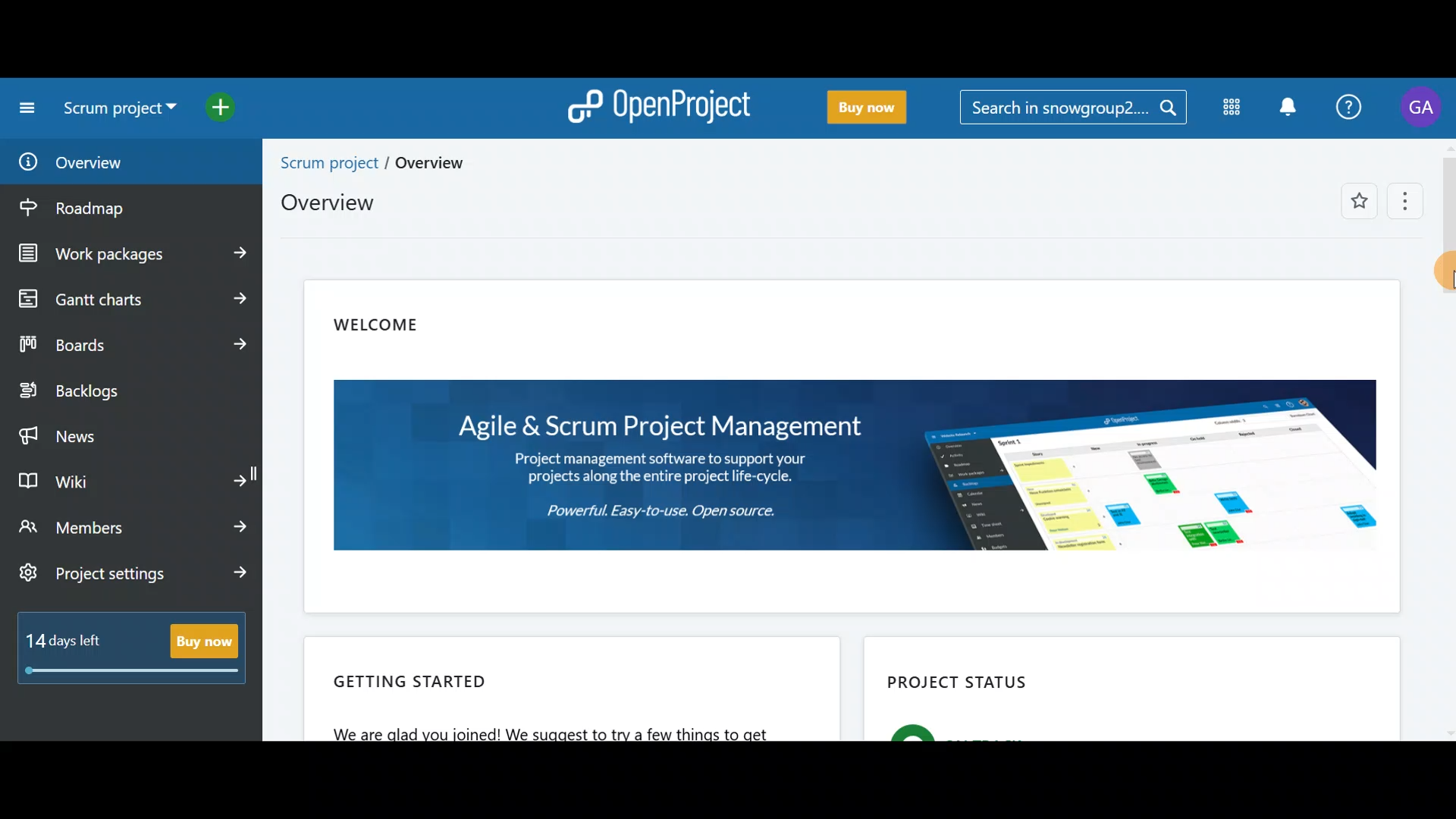 The width and height of the screenshot is (1456, 819). What do you see at coordinates (1350, 202) in the screenshot?
I see `Add to favorites` at bounding box center [1350, 202].